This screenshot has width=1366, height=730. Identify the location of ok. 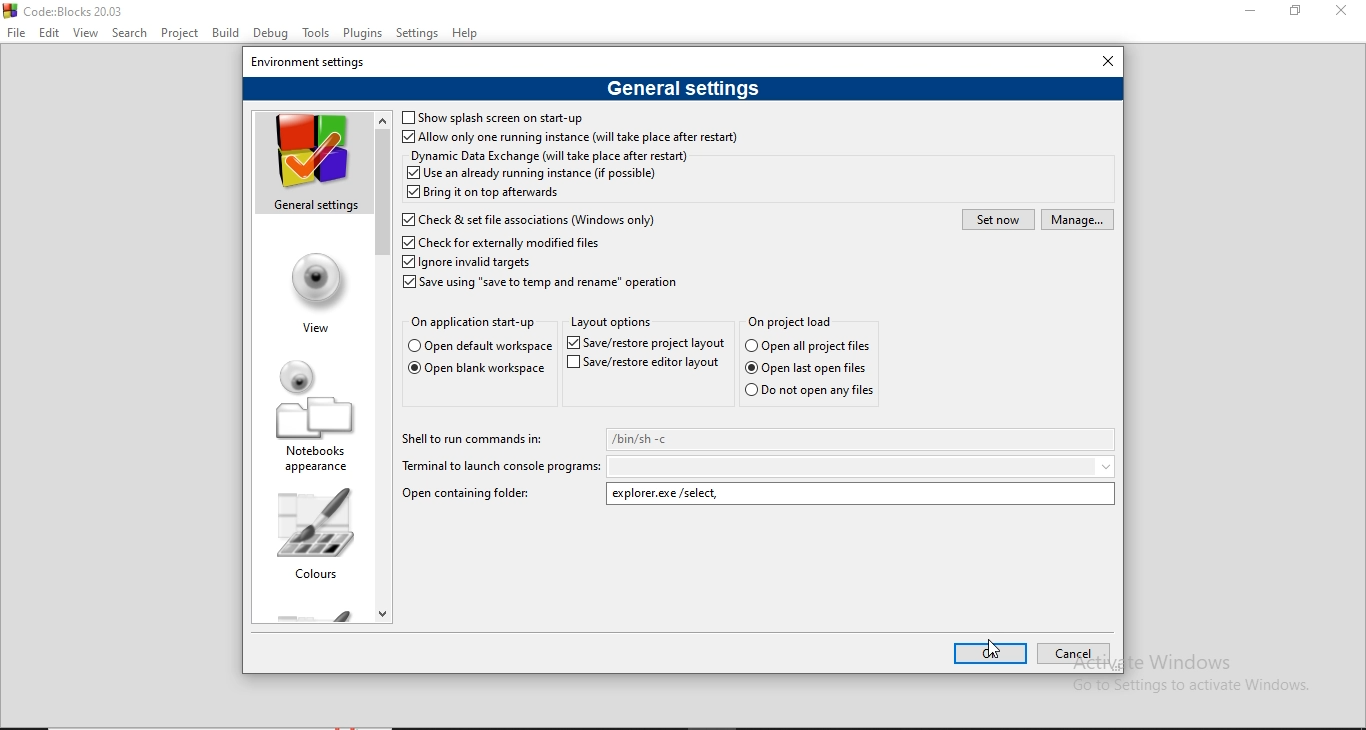
(991, 653).